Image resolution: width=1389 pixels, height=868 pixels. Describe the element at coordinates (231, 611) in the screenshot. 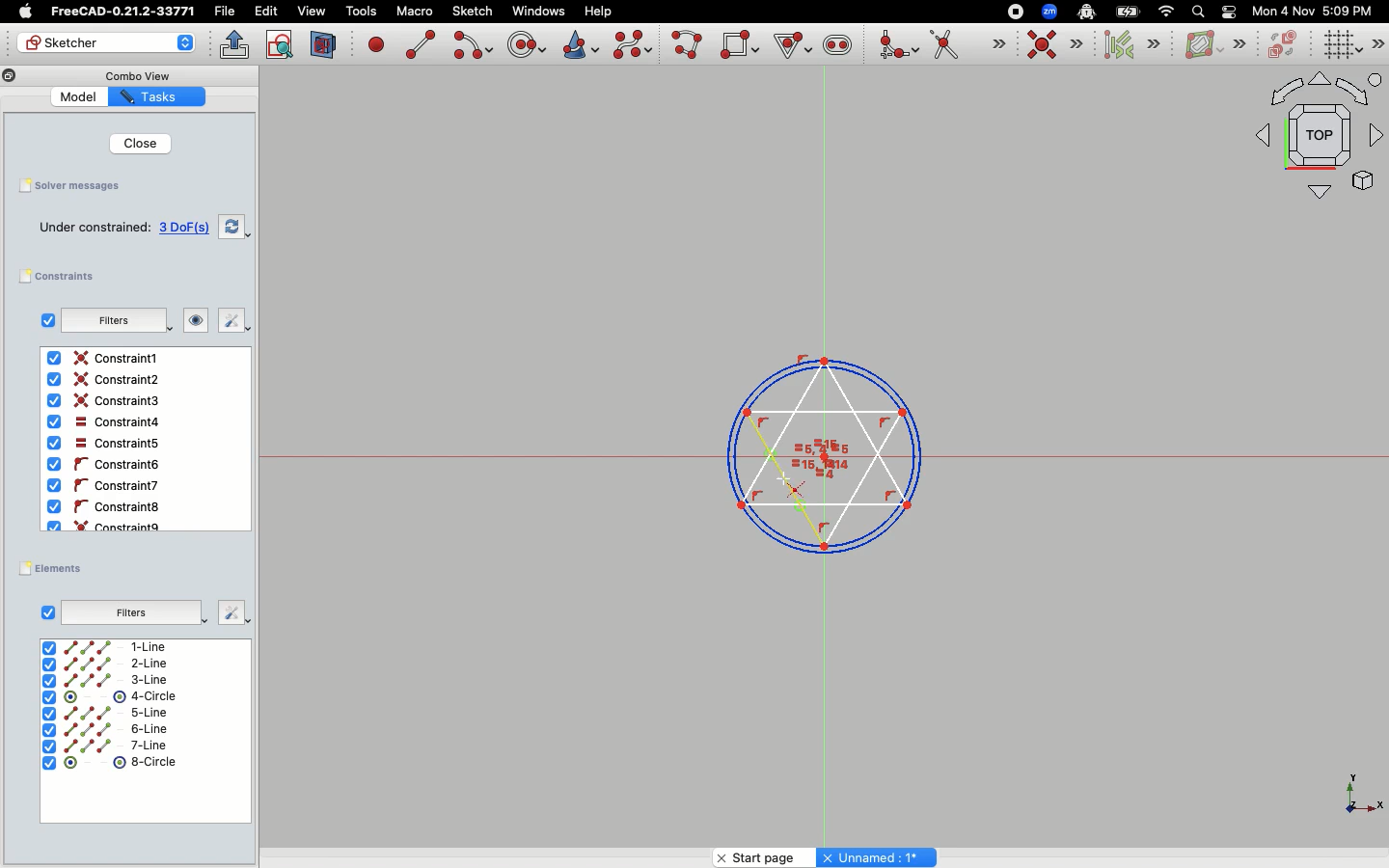

I see `Fix` at that location.